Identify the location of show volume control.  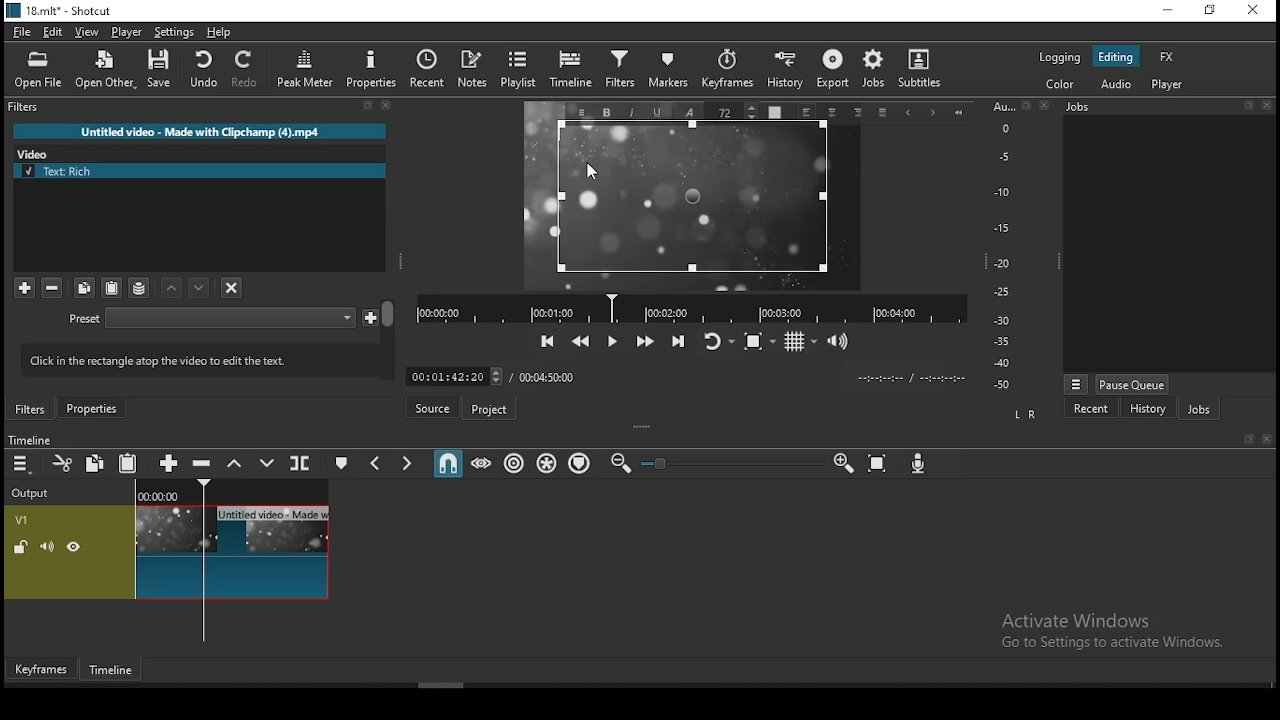
(839, 340).